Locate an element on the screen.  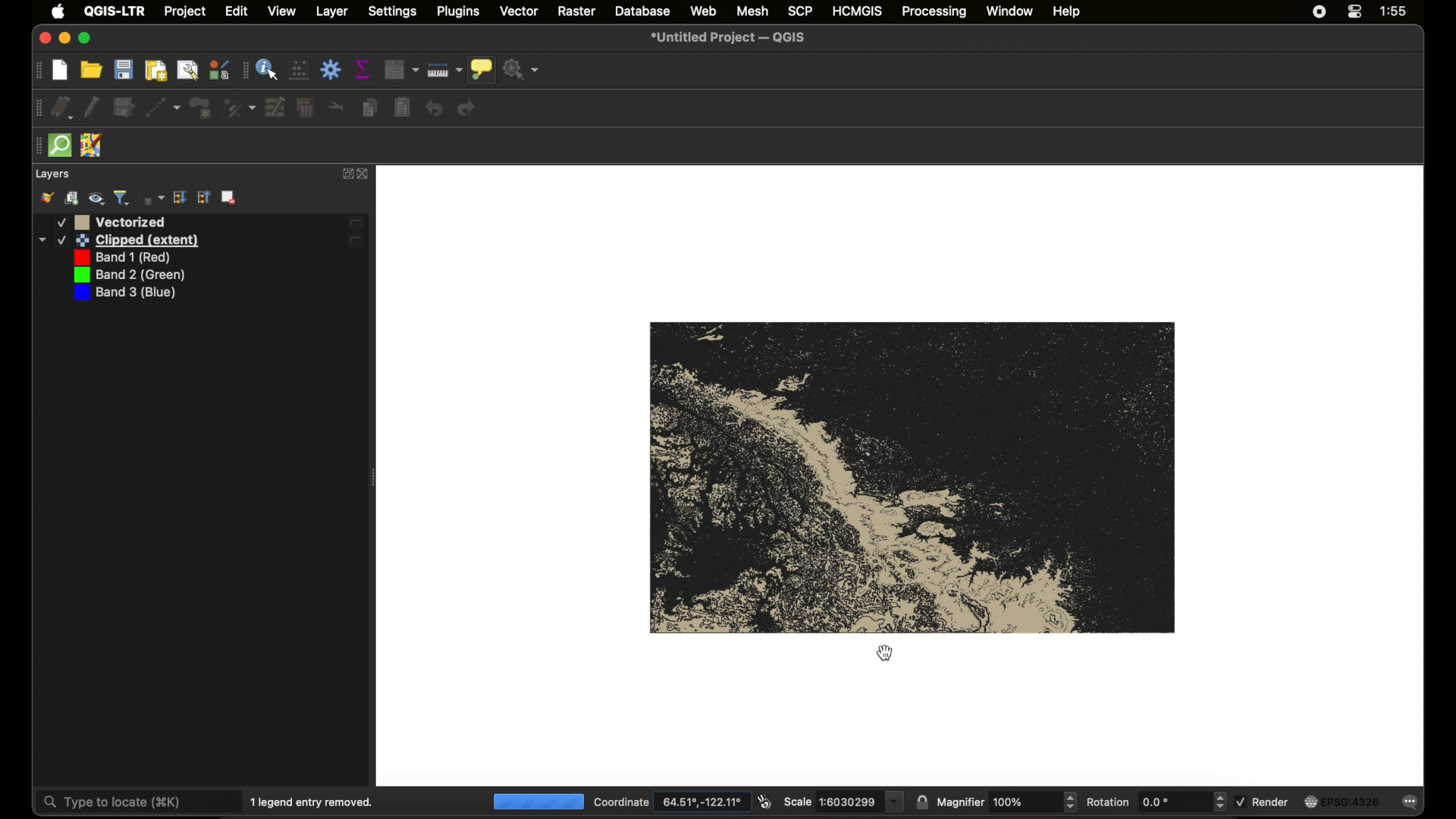
apple icon is located at coordinates (58, 11).